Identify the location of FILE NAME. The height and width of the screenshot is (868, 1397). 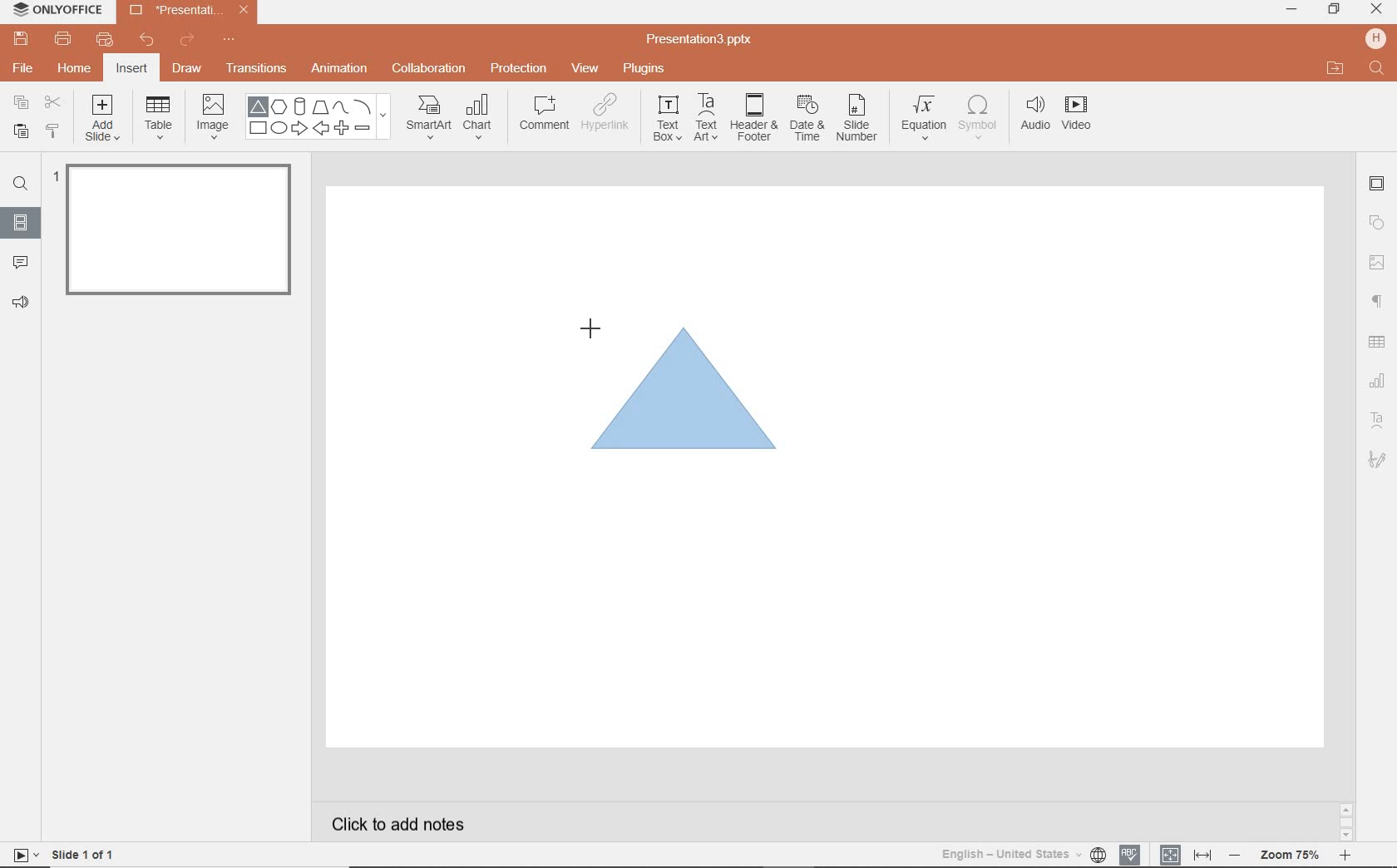
(702, 40).